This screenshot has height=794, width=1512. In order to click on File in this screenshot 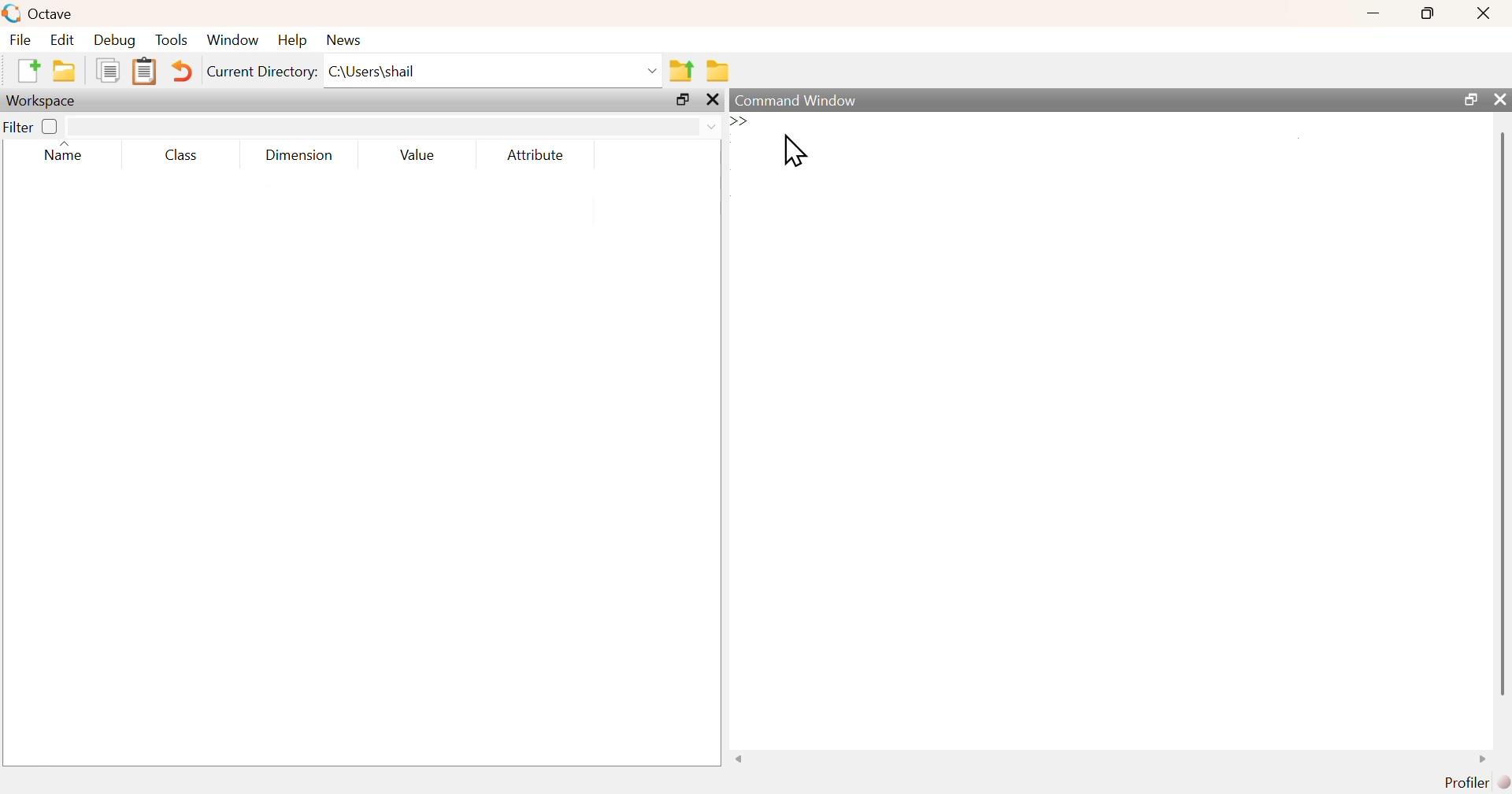, I will do `click(19, 39)`.